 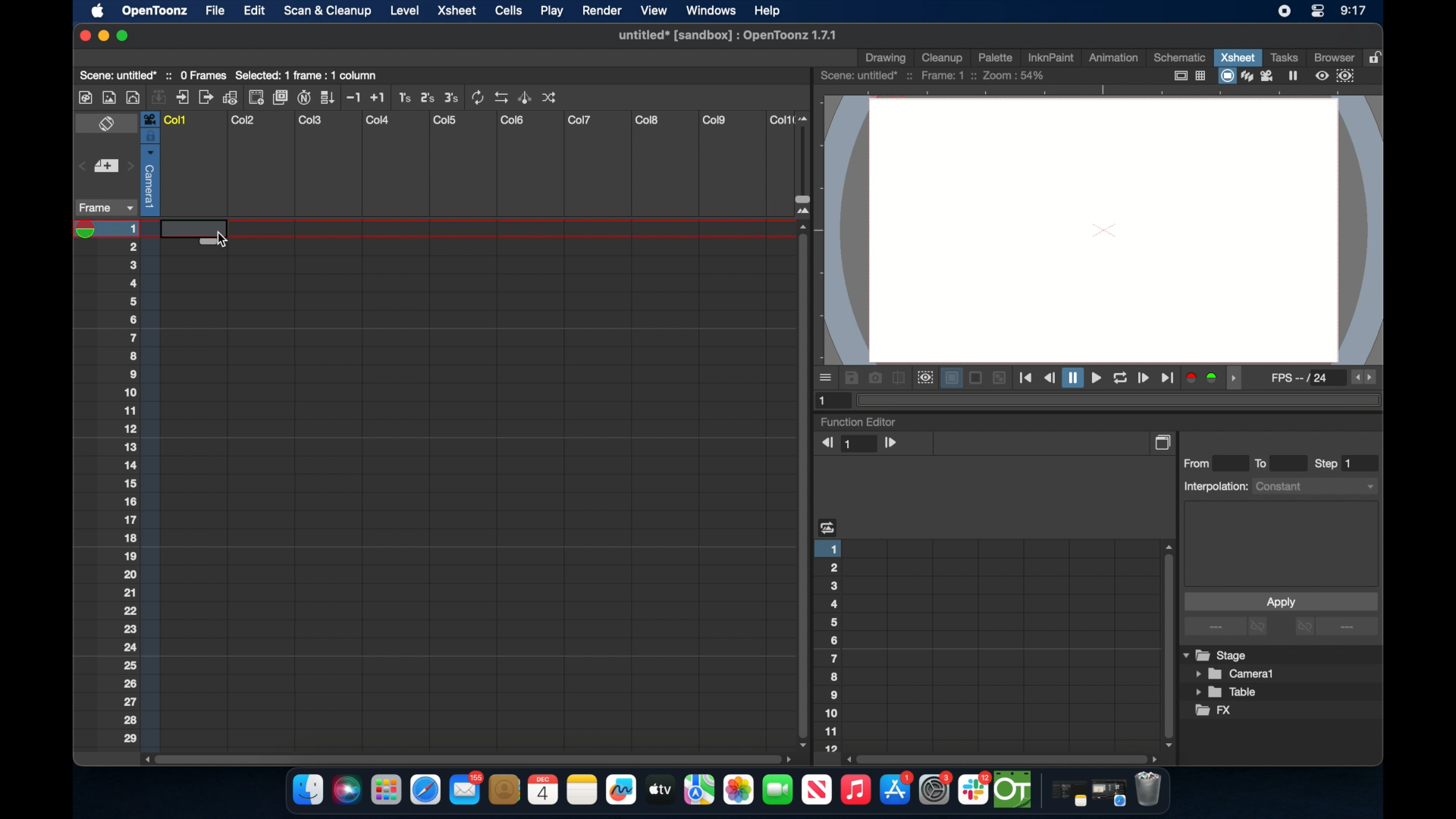 What do you see at coordinates (477, 120) in the screenshot?
I see `columns` at bounding box center [477, 120].